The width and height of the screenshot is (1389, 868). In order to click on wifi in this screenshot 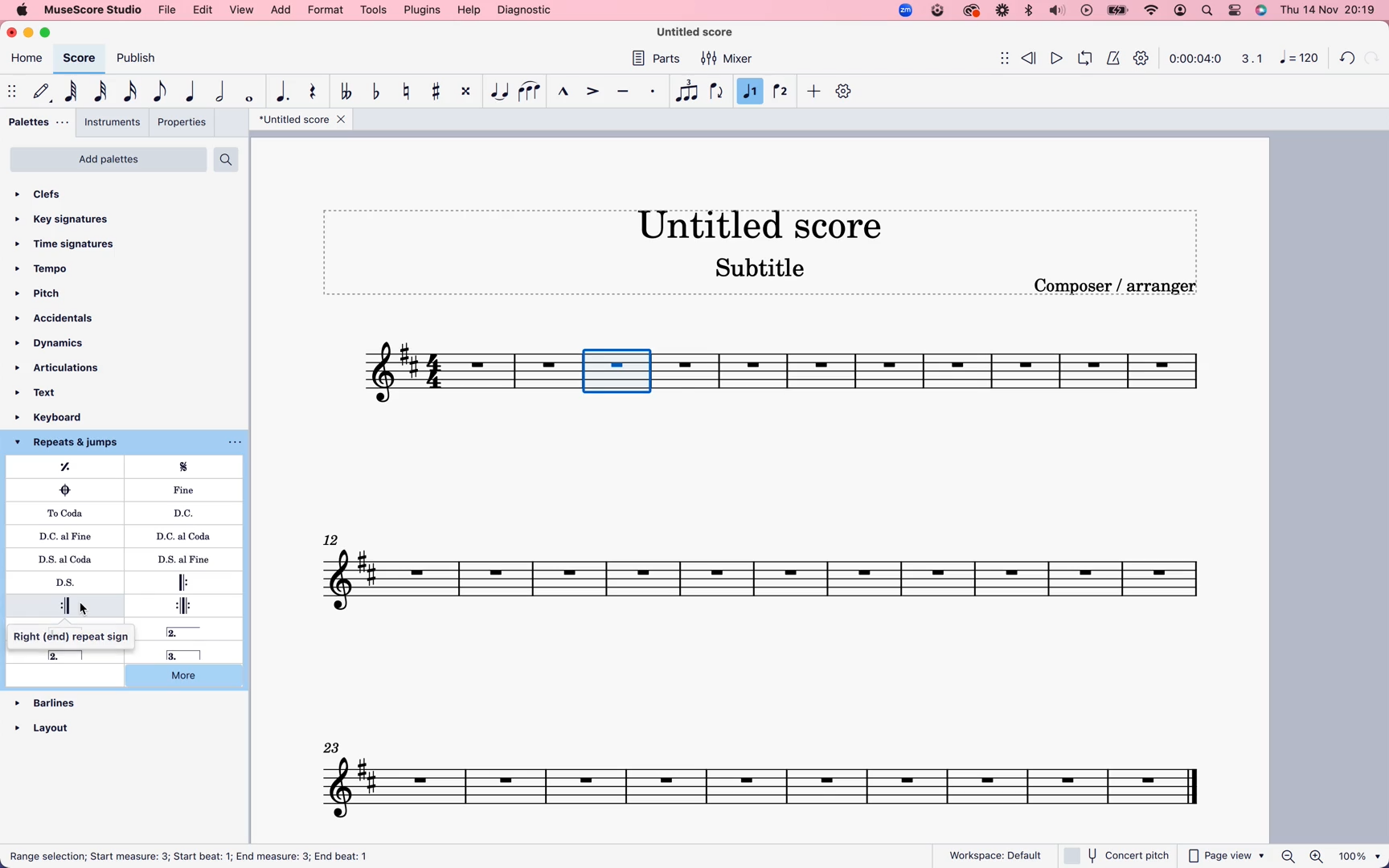, I will do `click(1153, 10)`.